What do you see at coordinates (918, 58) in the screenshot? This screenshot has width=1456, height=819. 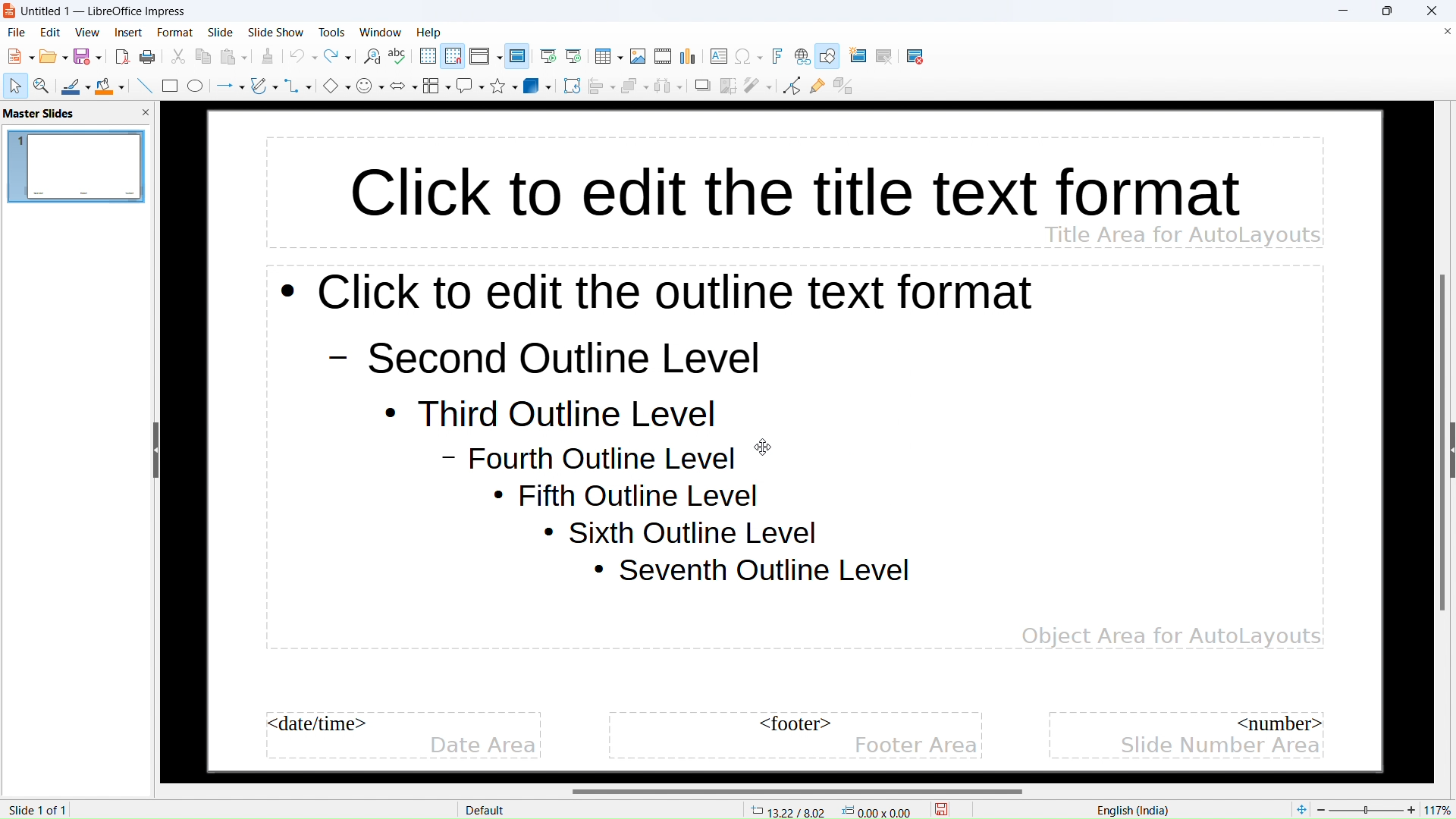 I see `delete slide` at bounding box center [918, 58].